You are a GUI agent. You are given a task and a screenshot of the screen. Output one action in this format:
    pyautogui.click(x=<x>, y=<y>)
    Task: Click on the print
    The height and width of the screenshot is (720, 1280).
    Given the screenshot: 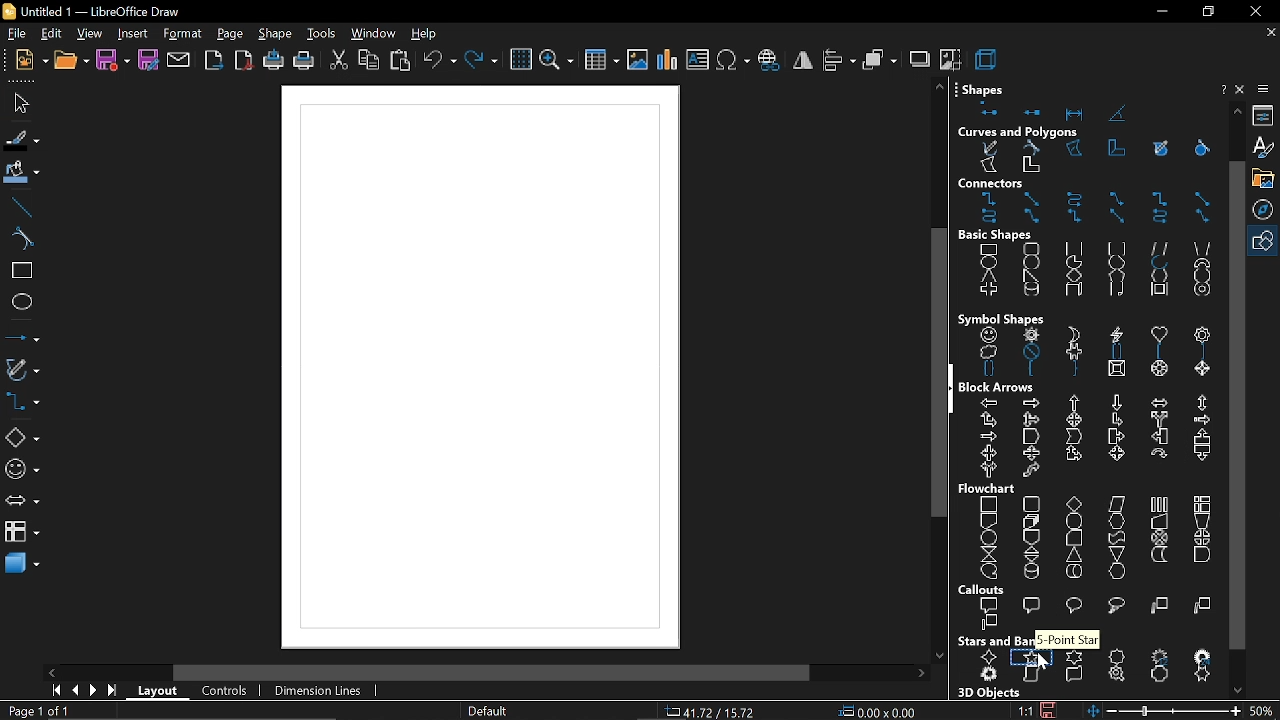 What is the action you would take?
    pyautogui.click(x=303, y=62)
    